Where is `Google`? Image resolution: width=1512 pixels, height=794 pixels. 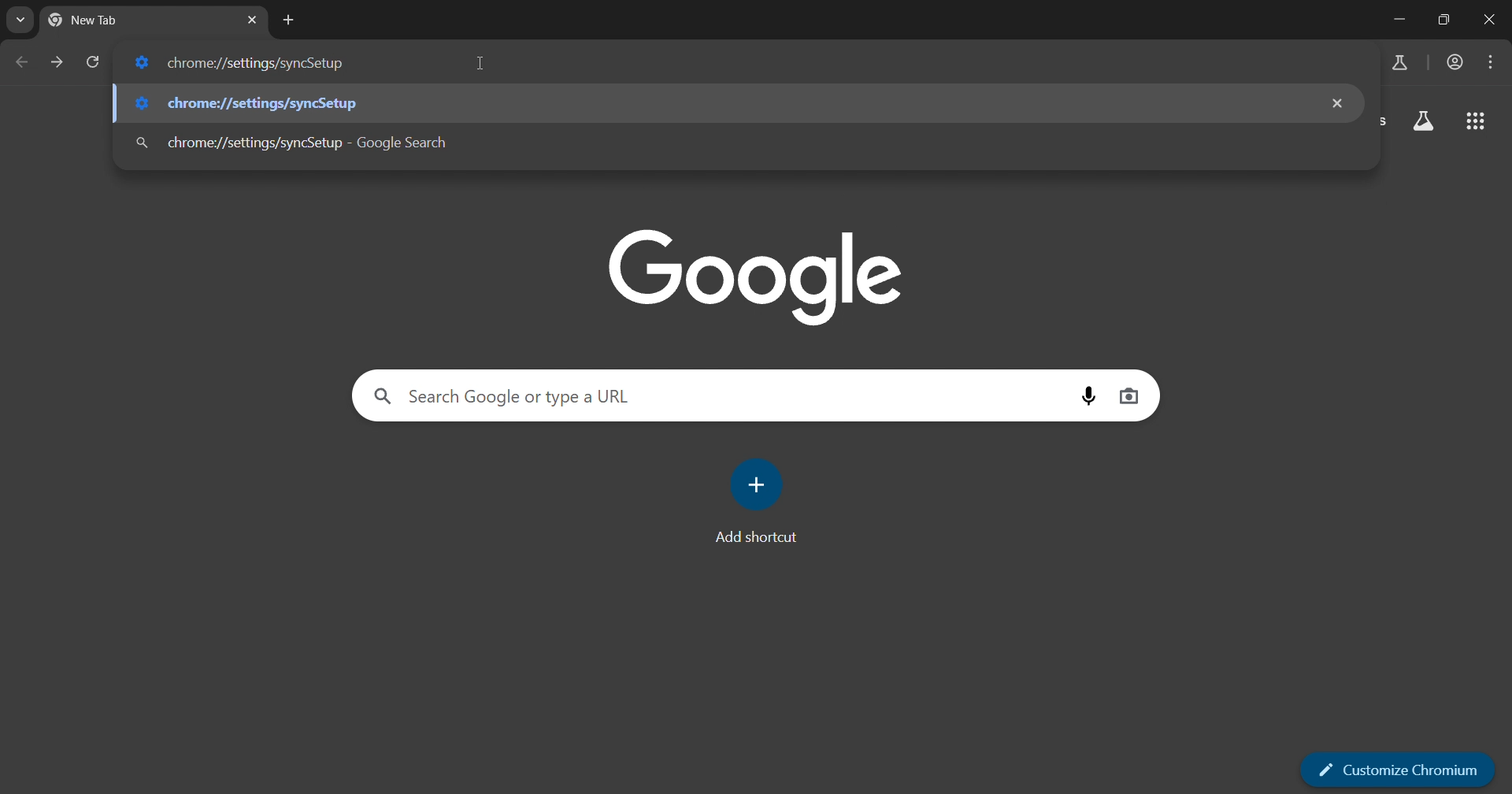
Google is located at coordinates (762, 275).